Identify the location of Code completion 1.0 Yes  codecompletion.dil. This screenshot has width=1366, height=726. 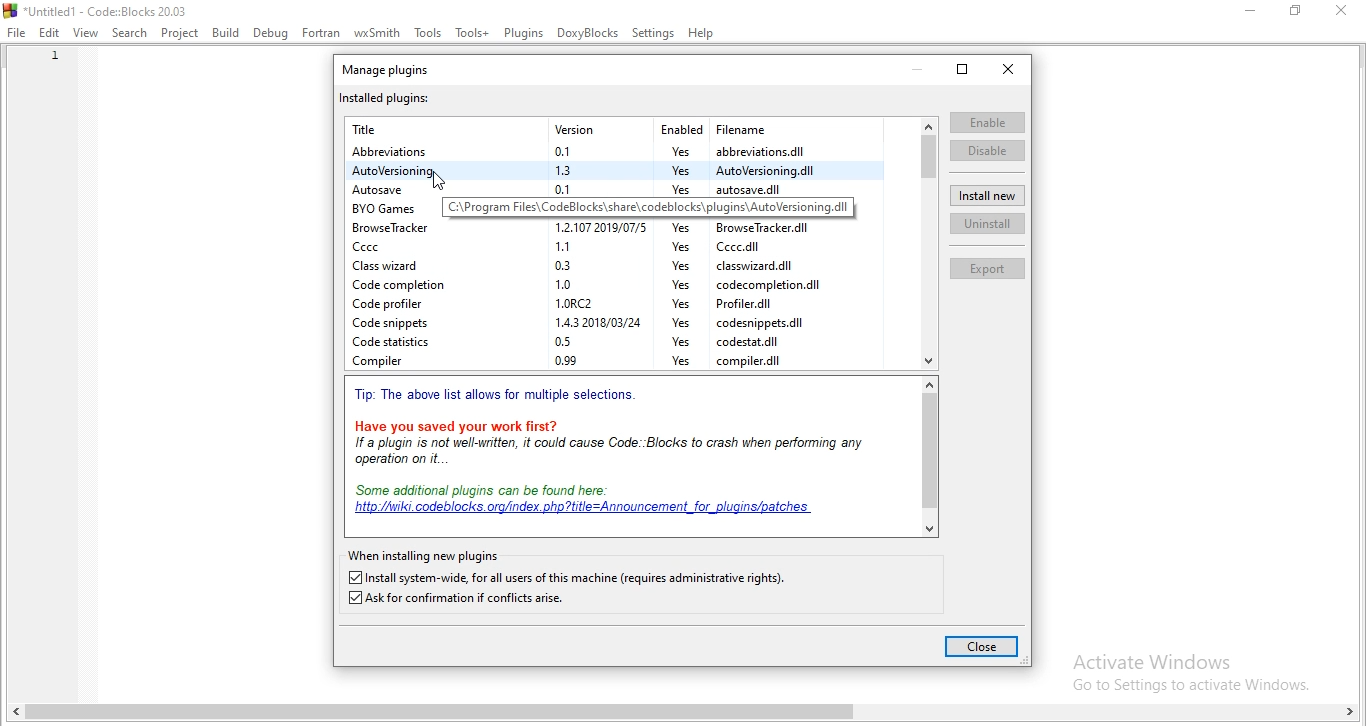
(588, 284).